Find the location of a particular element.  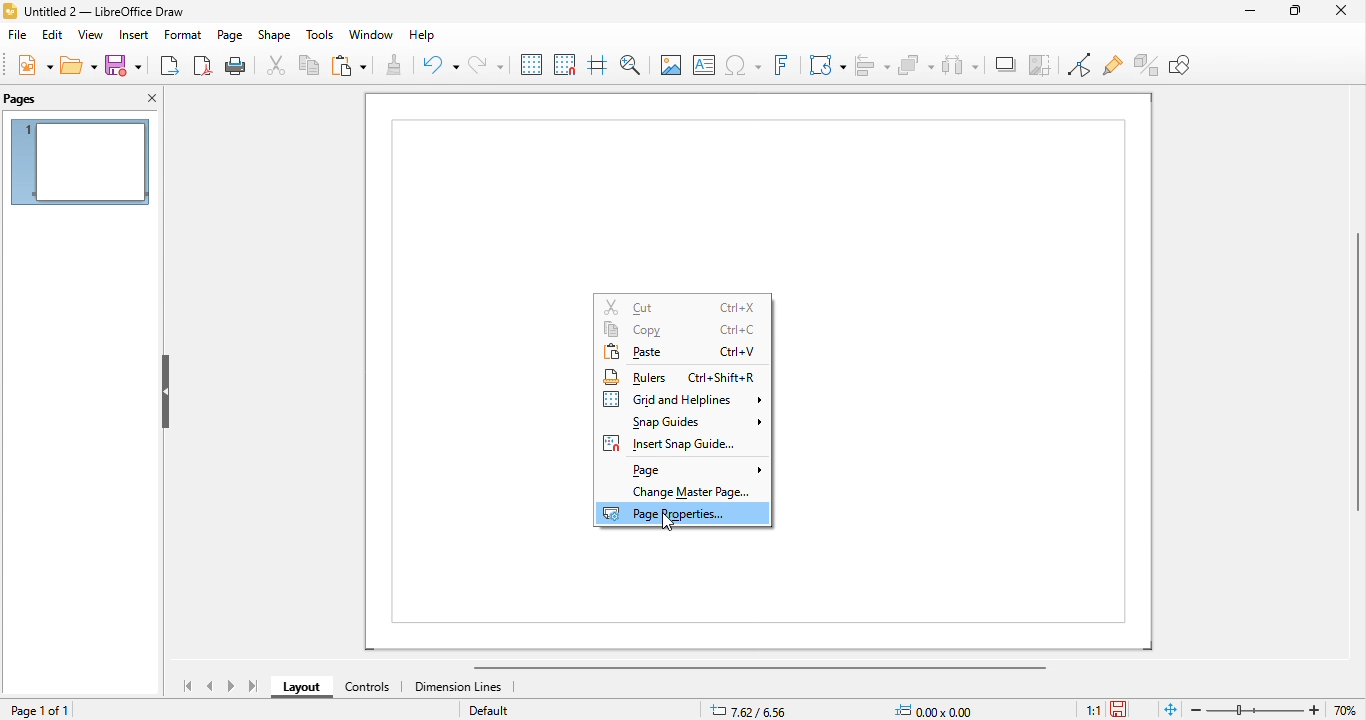

default is located at coordinates (495, 711).